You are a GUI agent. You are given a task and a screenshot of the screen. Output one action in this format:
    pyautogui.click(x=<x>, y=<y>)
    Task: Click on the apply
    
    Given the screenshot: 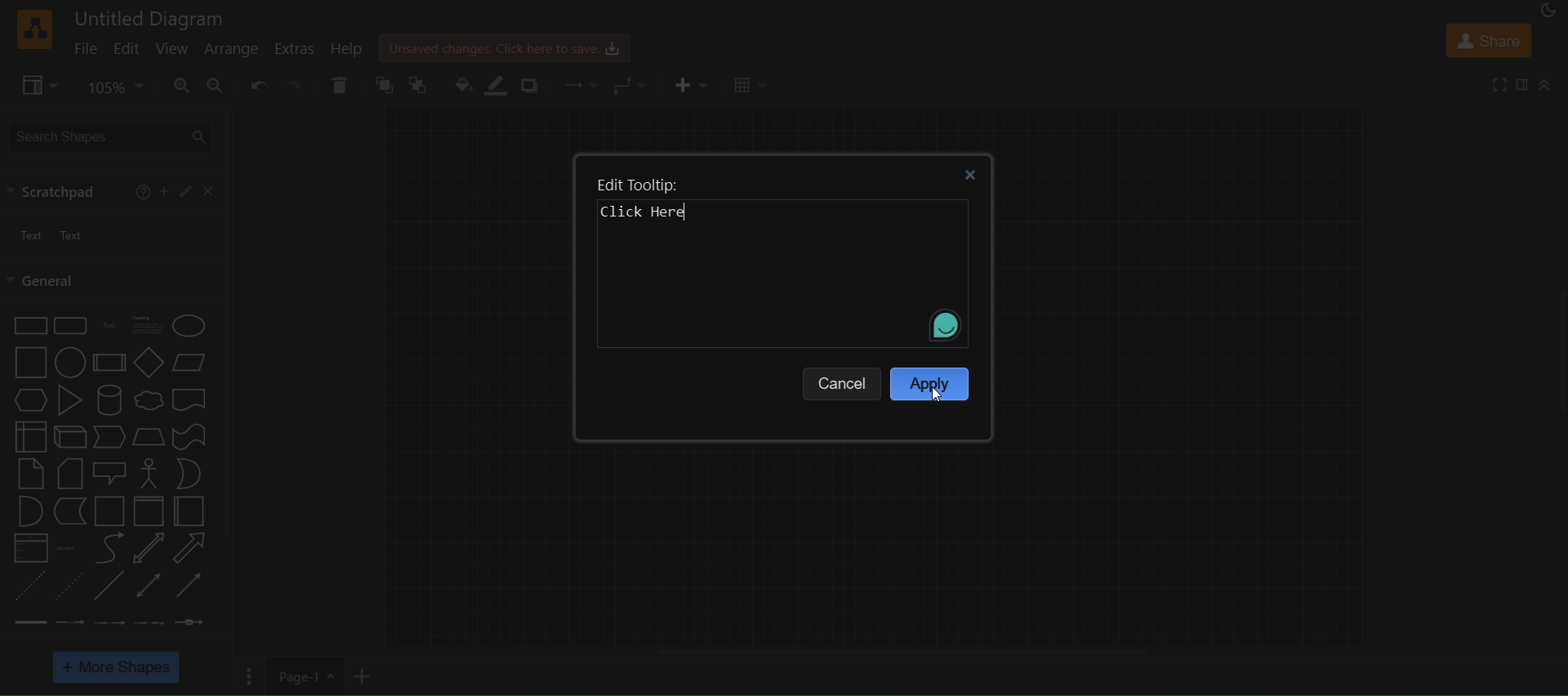 What is the action you would take?
    pyautogui.click(x=929, y=382)
    